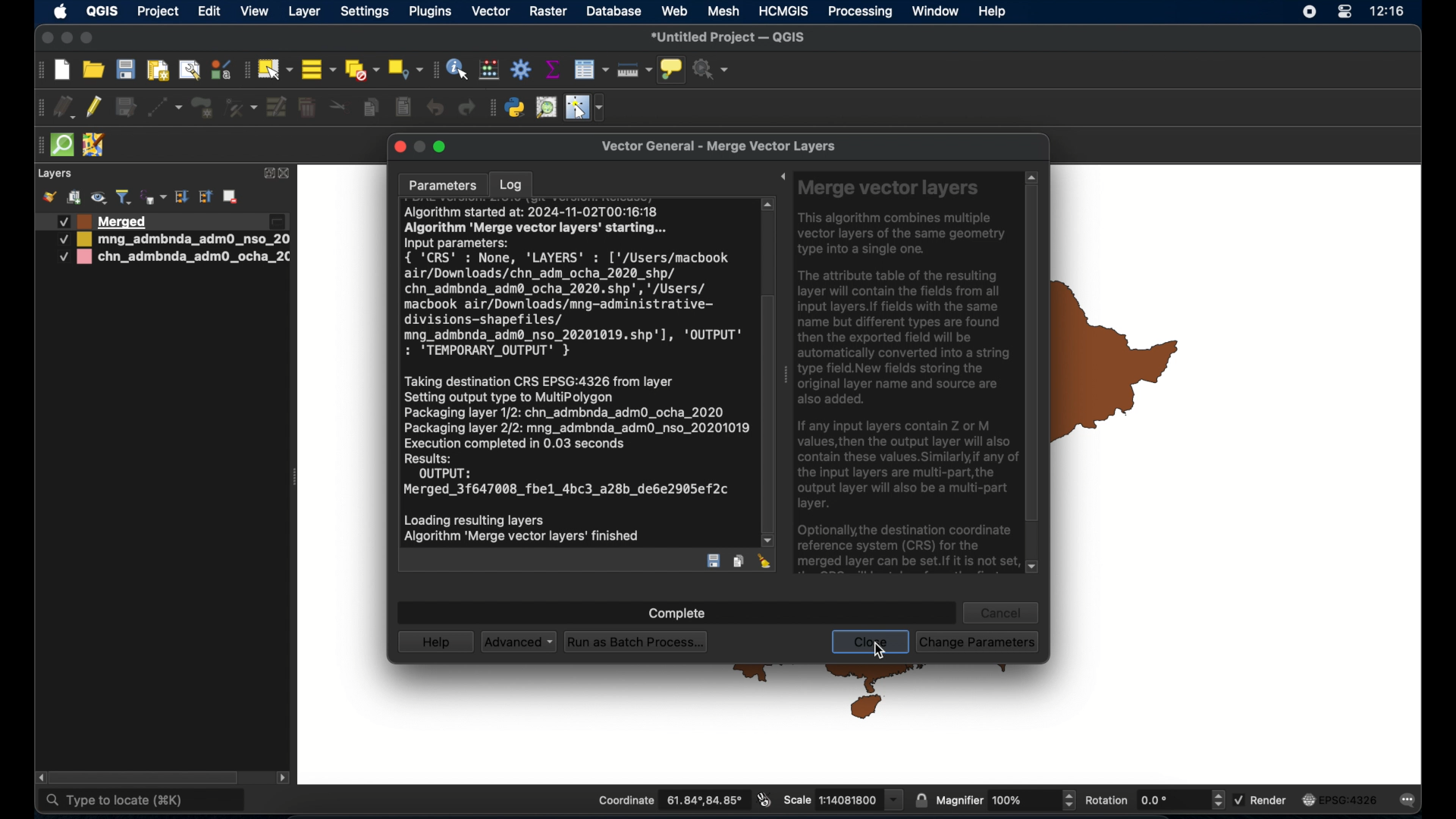 The height and width of the screenshot is (819, 1456). What do you see at coordinates (339, 107) in the screenshot?
I see `cut features` at bounding box center [339, 107].